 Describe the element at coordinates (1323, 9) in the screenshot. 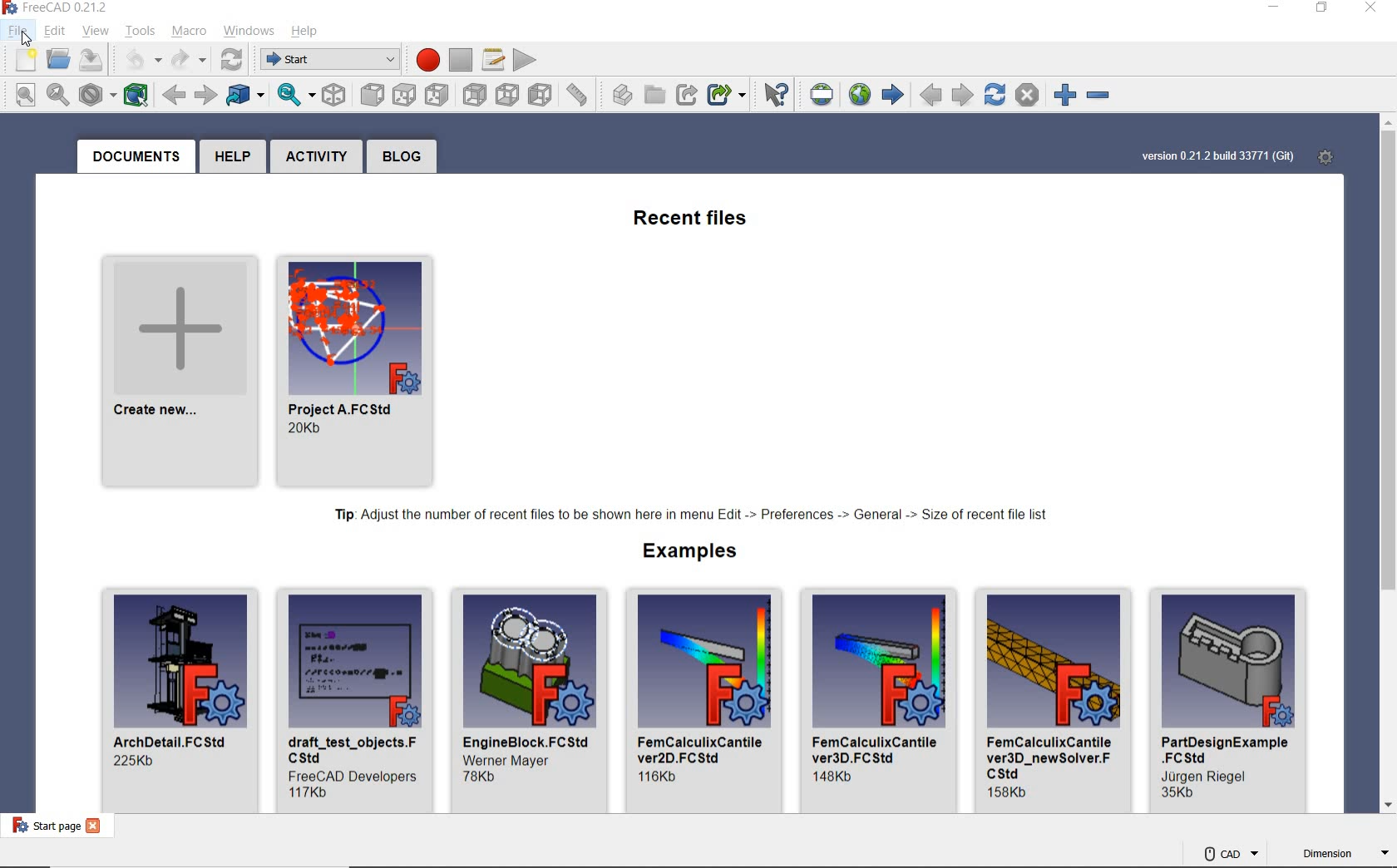

I see `RESTORE DOWN` at that location.